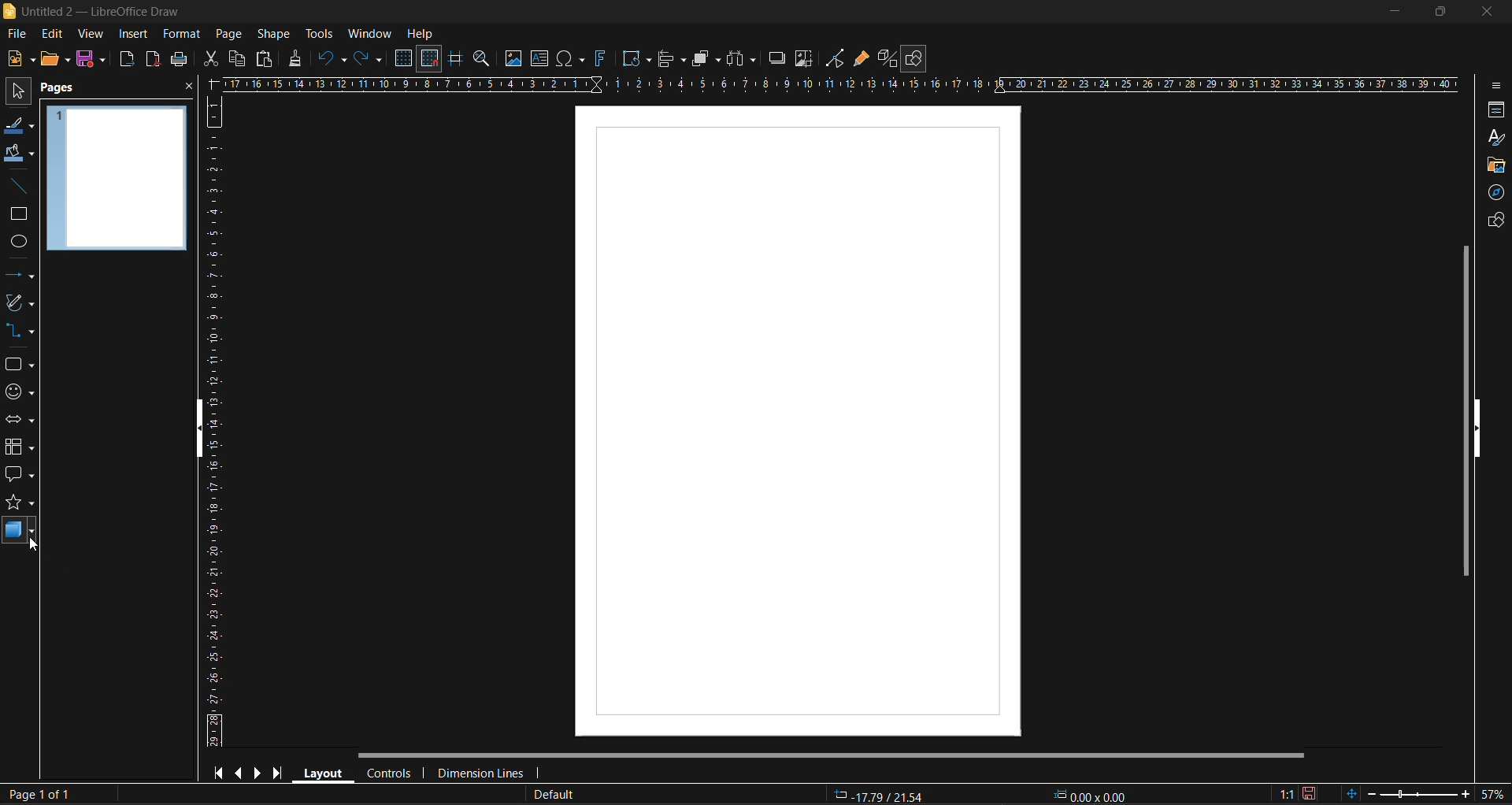 Image resolution: width=1512 pixels, height=805 pixels. I want to click on curves and polygons, so click(18, 304).